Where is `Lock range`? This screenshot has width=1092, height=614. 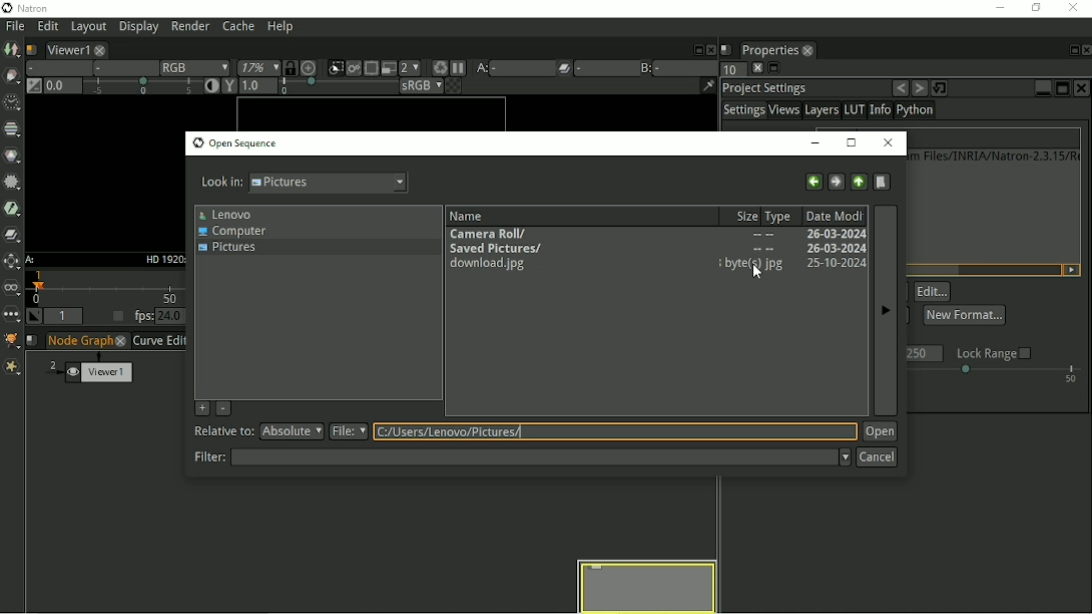
Lock range is located at coordinates (994, 353).